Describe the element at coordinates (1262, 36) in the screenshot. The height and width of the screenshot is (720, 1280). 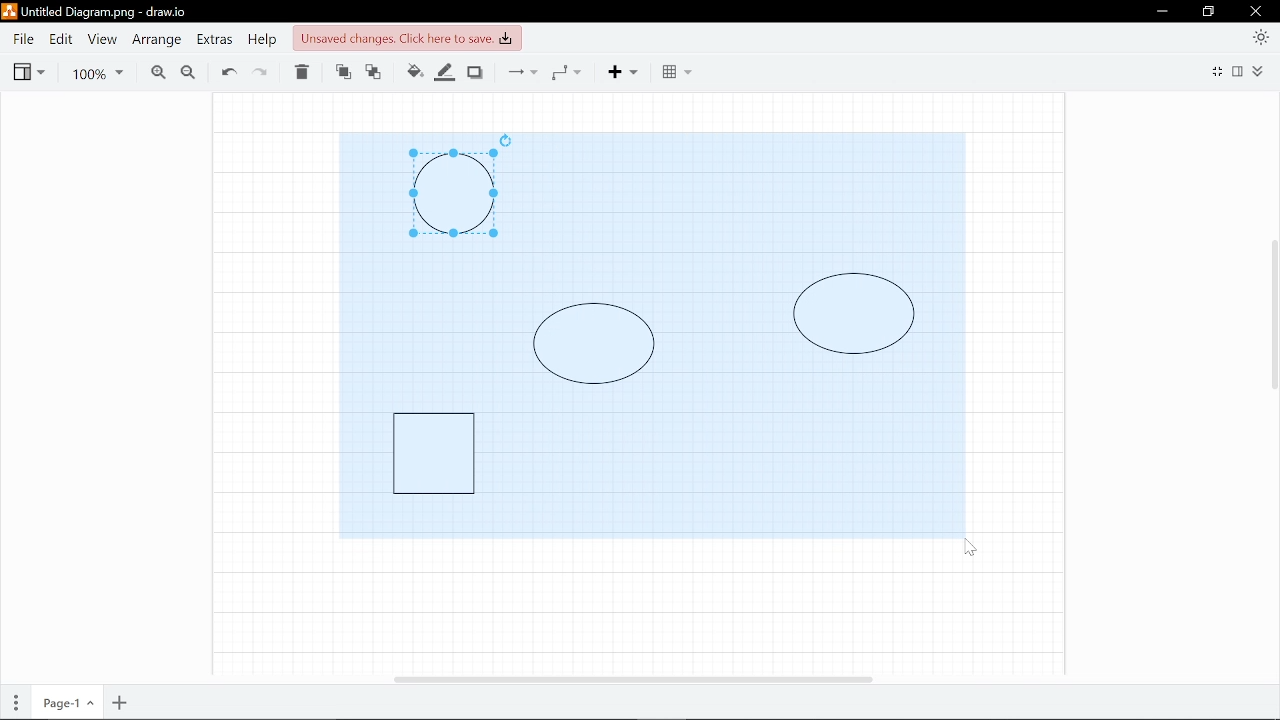
I see `Appearance` at that location.